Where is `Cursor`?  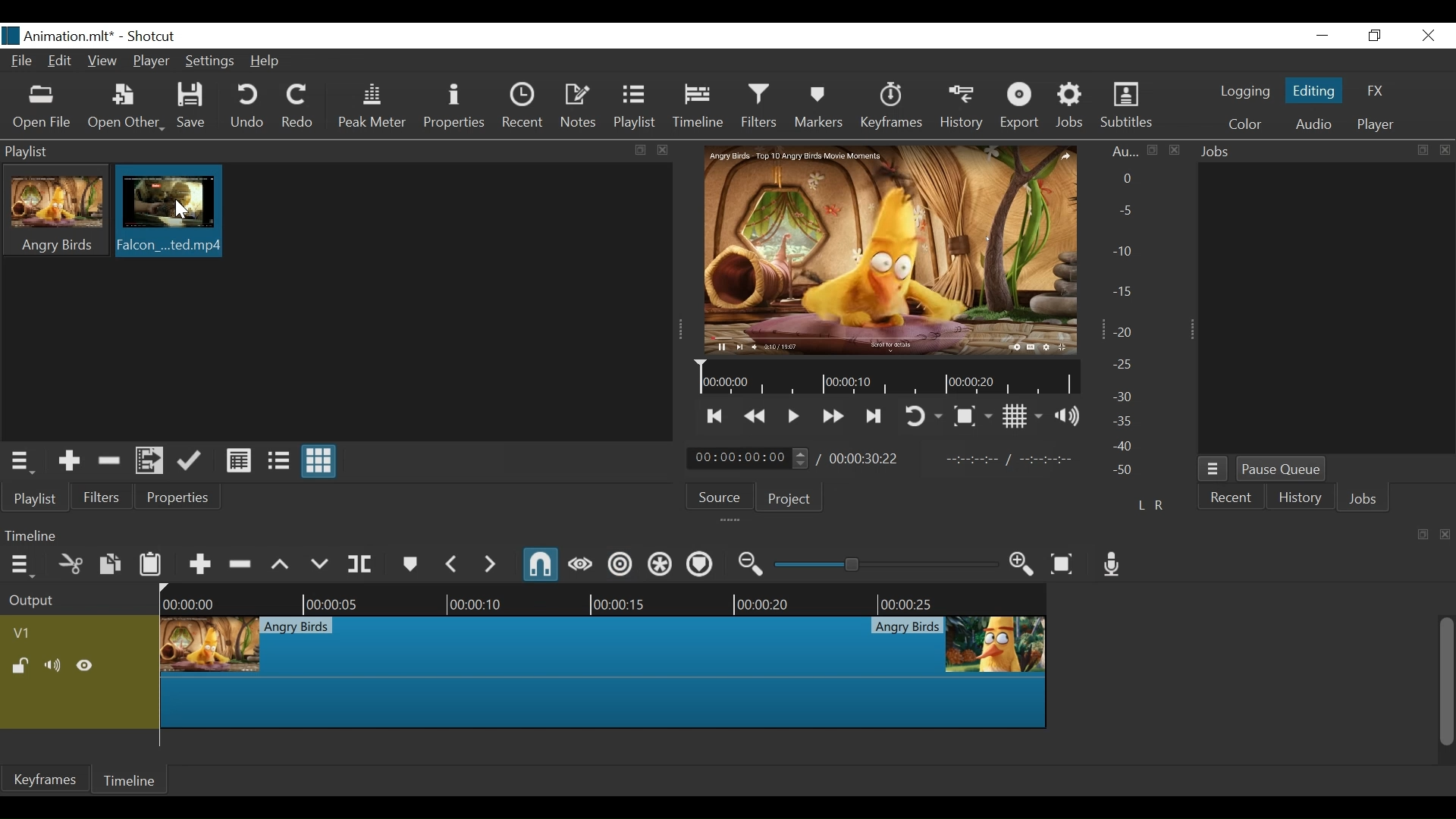
Cursor is located at coordinates (179, 209).